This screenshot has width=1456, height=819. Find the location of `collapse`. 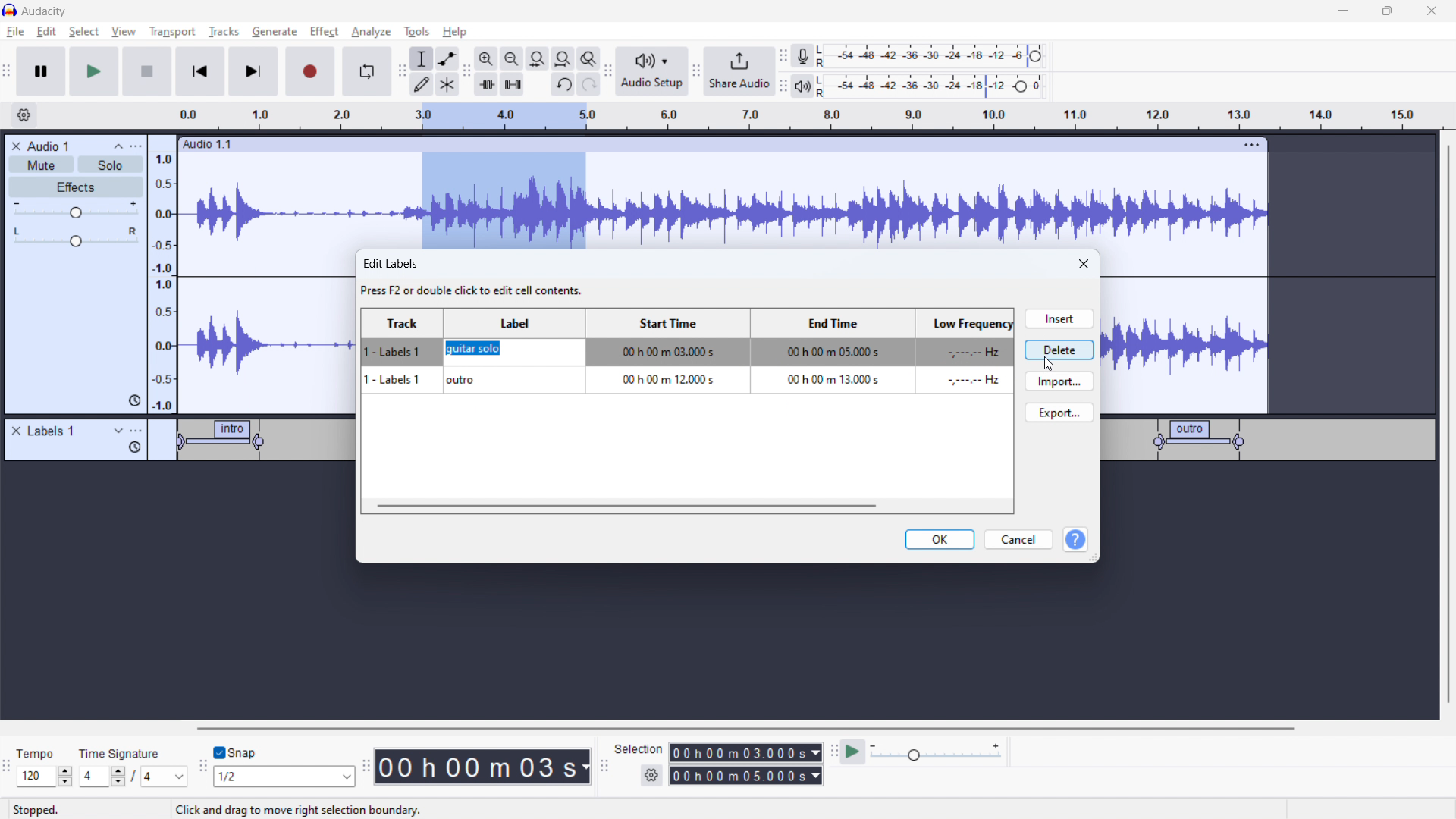

collapse is located at coordinates (118, 146).